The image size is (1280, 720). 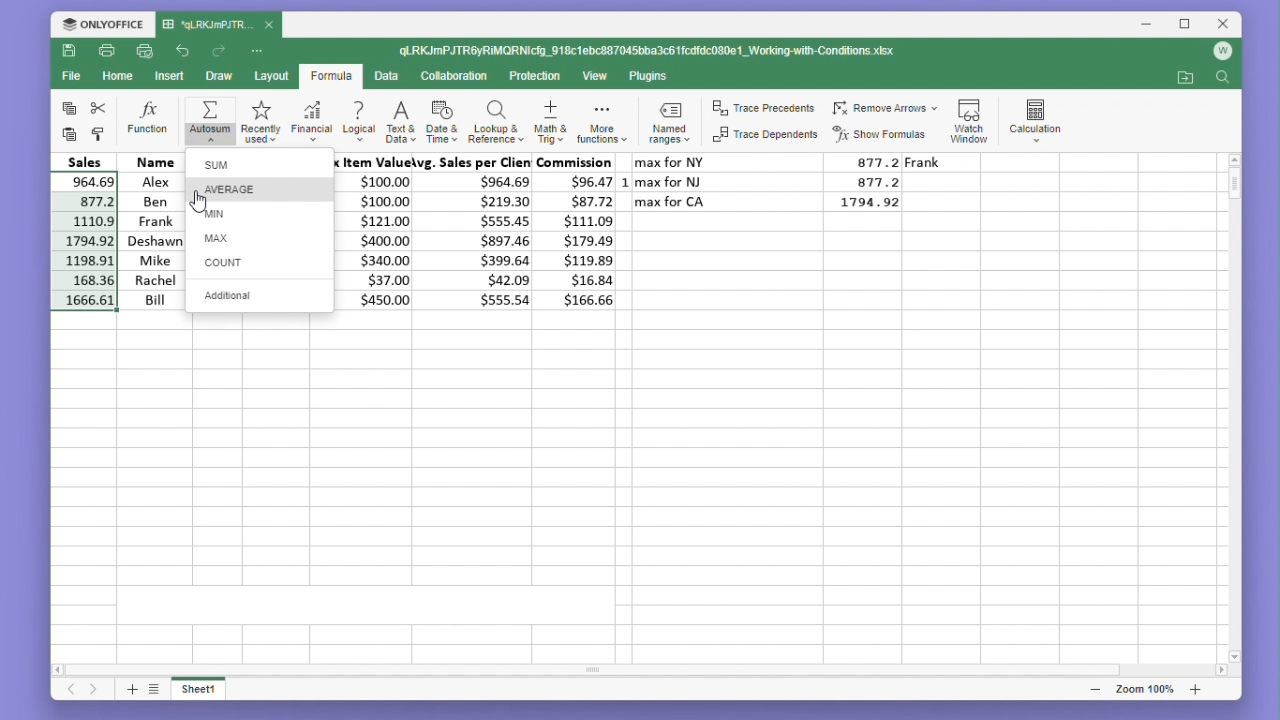 What do you see at coordinates (1218, 25) in the screenshot?
I see `Close` at bounding box center [1218, 25].